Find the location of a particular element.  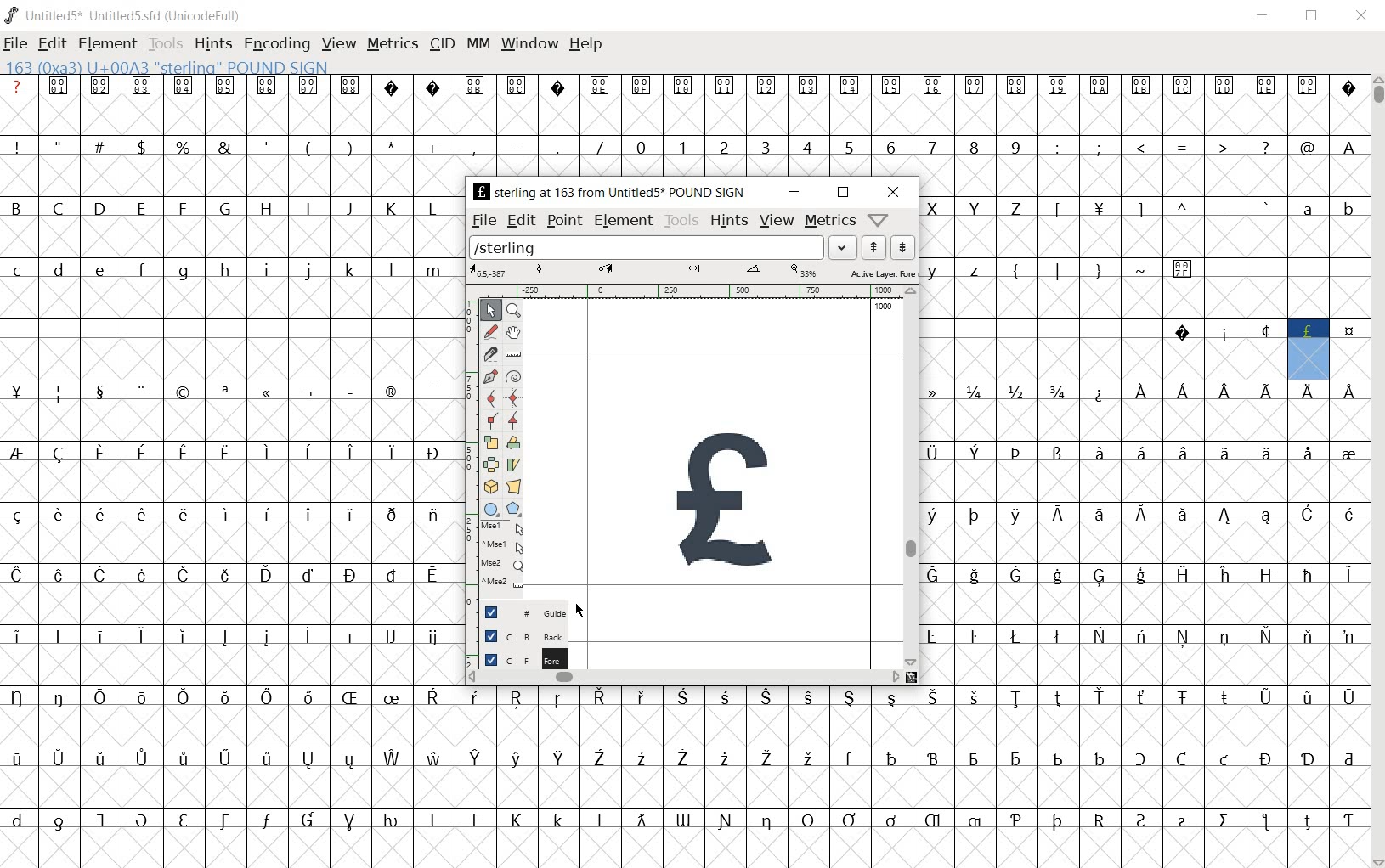

Symbol is located at coordinates (935, 822).